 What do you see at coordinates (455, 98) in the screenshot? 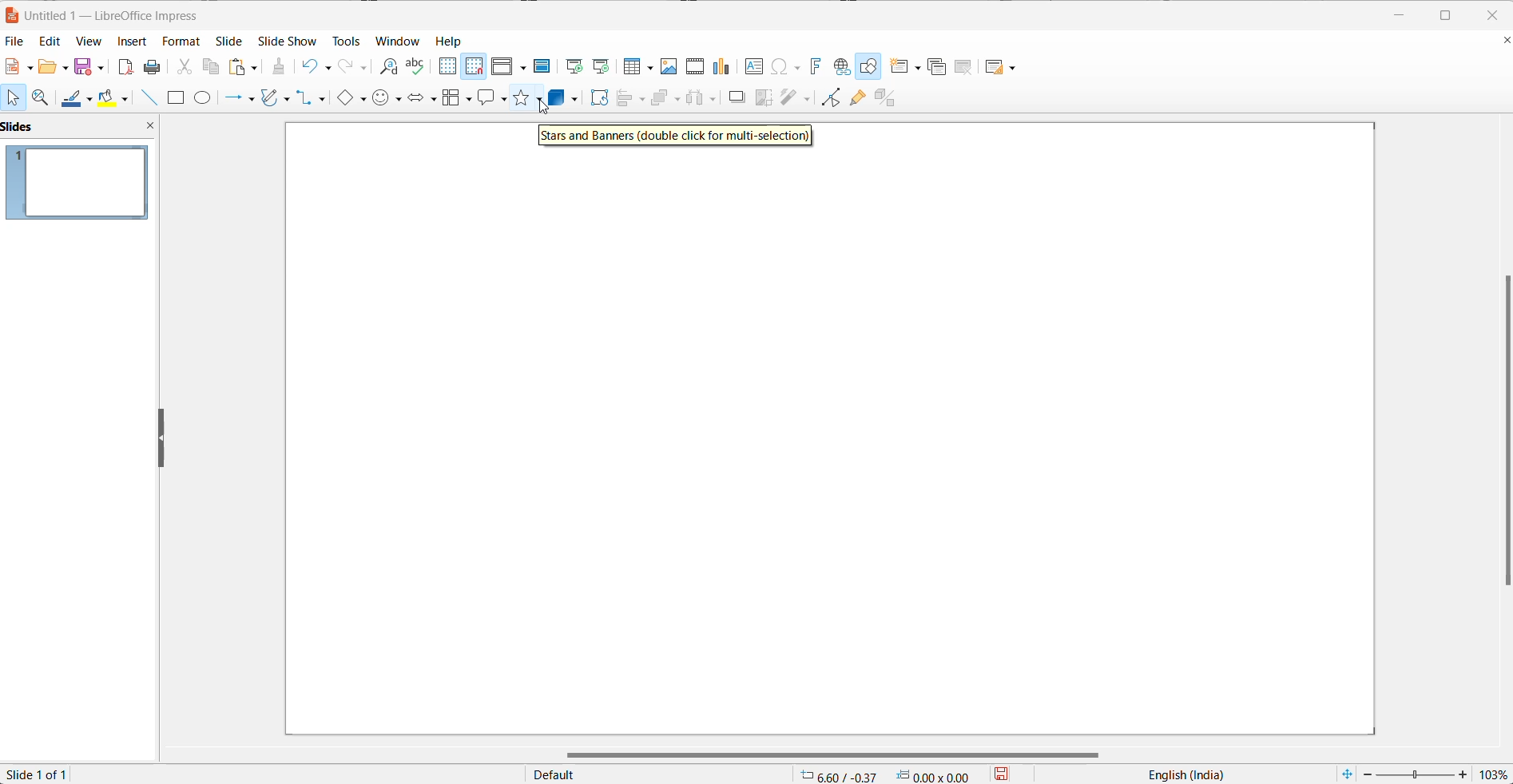
I see `flowchart` at bounding box center [455, 98].